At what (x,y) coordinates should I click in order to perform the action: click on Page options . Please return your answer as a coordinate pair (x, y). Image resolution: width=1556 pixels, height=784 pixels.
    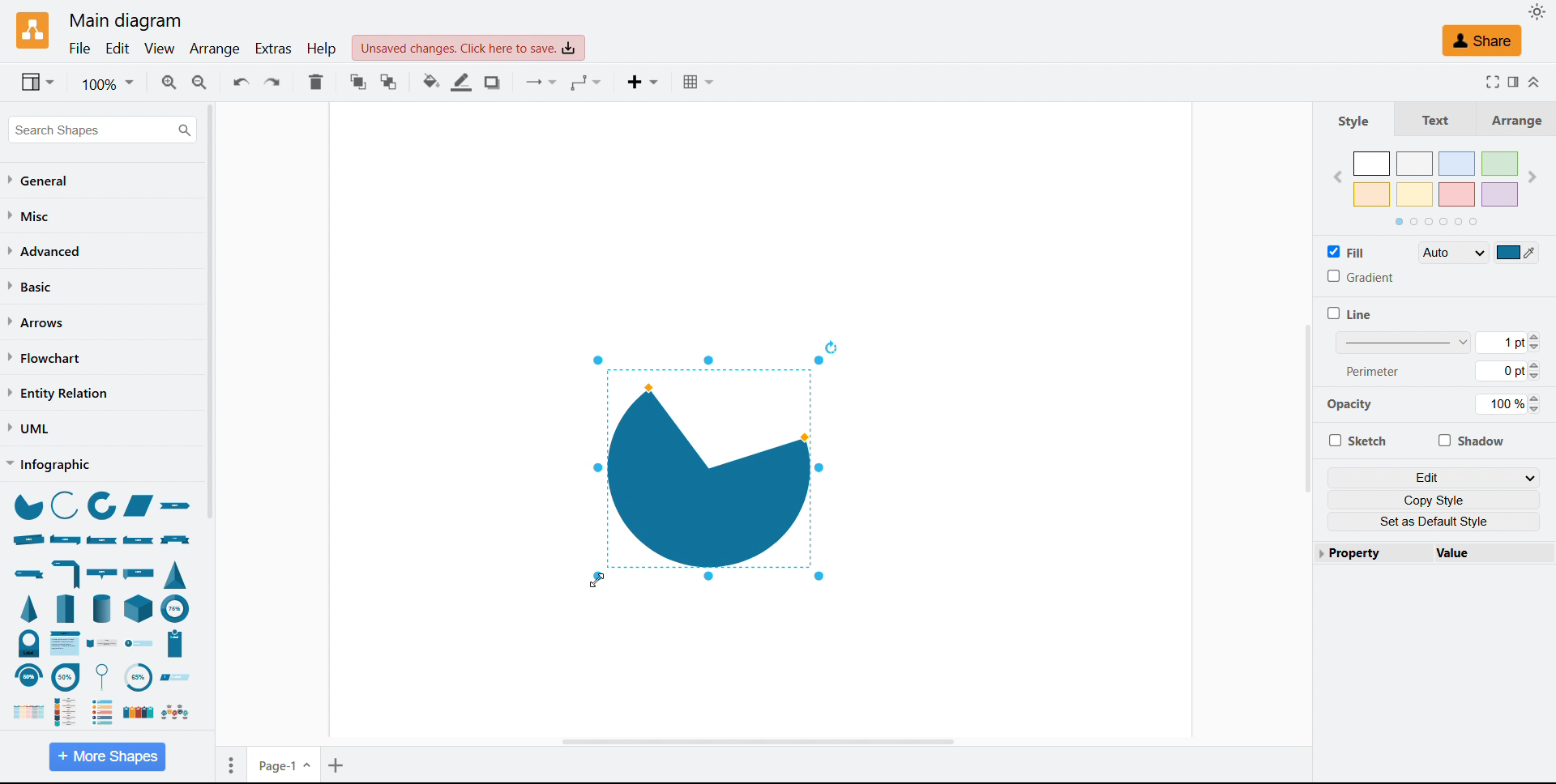
    Looking at the image, I should click on (231, 765).